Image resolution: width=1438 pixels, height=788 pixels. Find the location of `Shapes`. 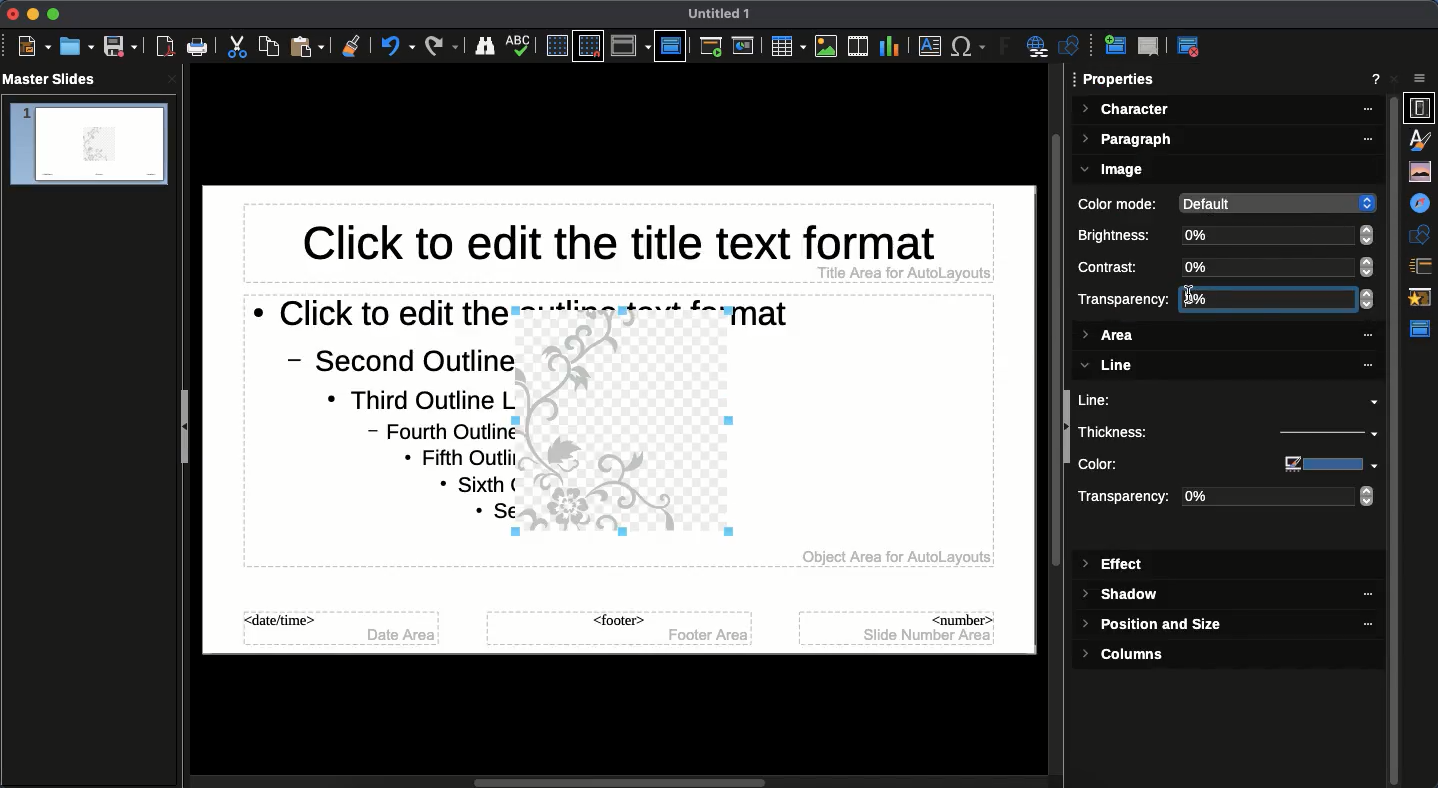

Shapes is located at coordinates (1422, 234).